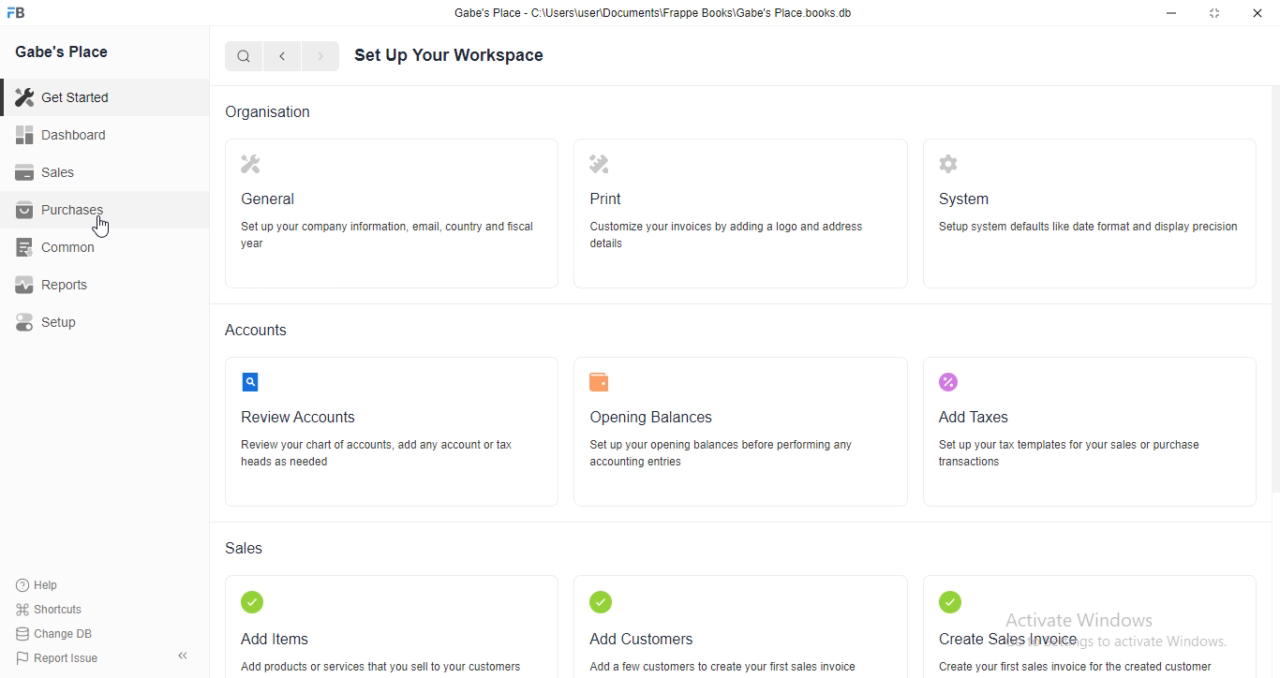 The image size is (1280, 678). I want to click on Report Issue, so click(52, 658).